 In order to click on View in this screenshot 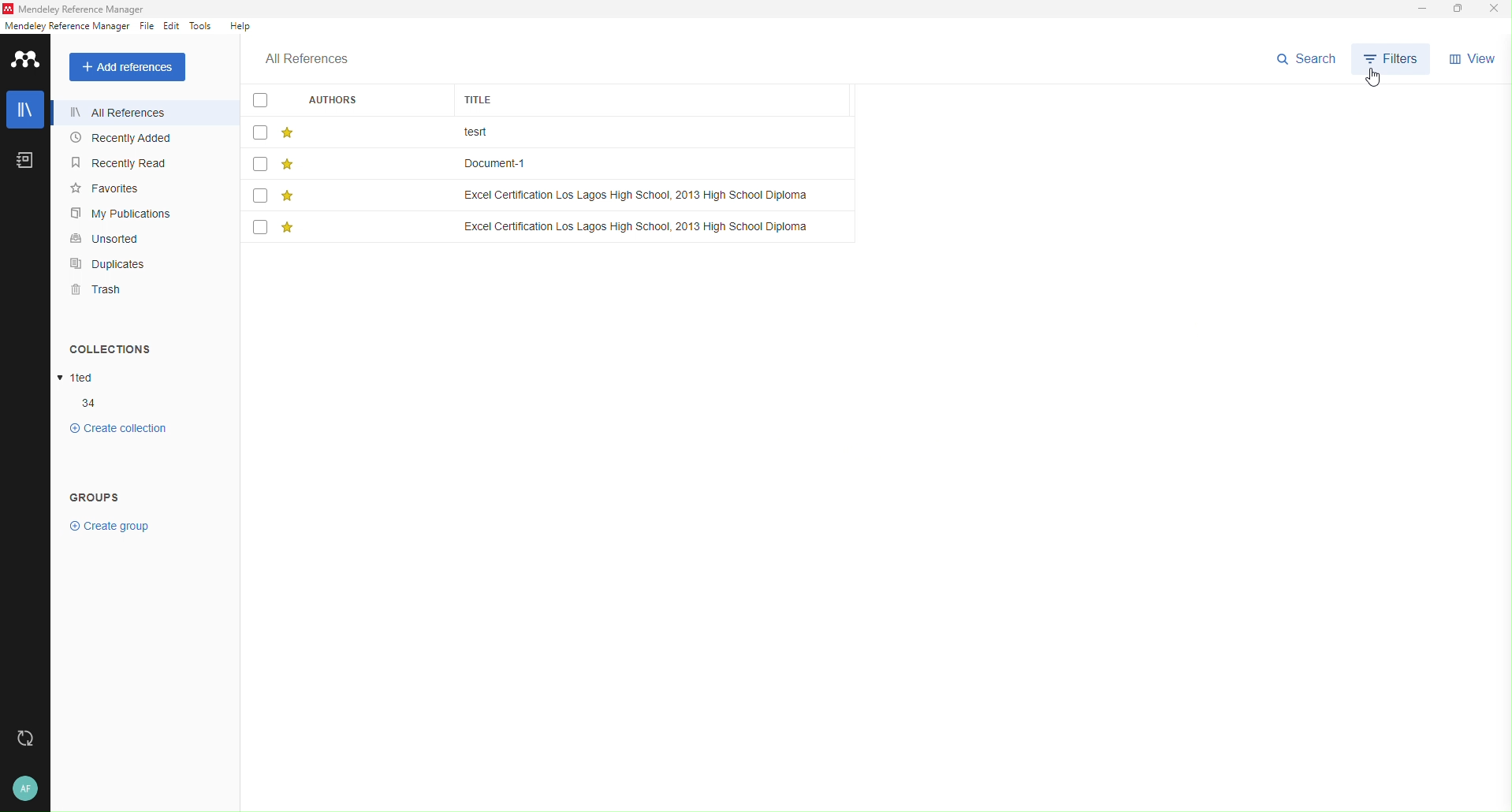, I will do `click(1476, 58)`.